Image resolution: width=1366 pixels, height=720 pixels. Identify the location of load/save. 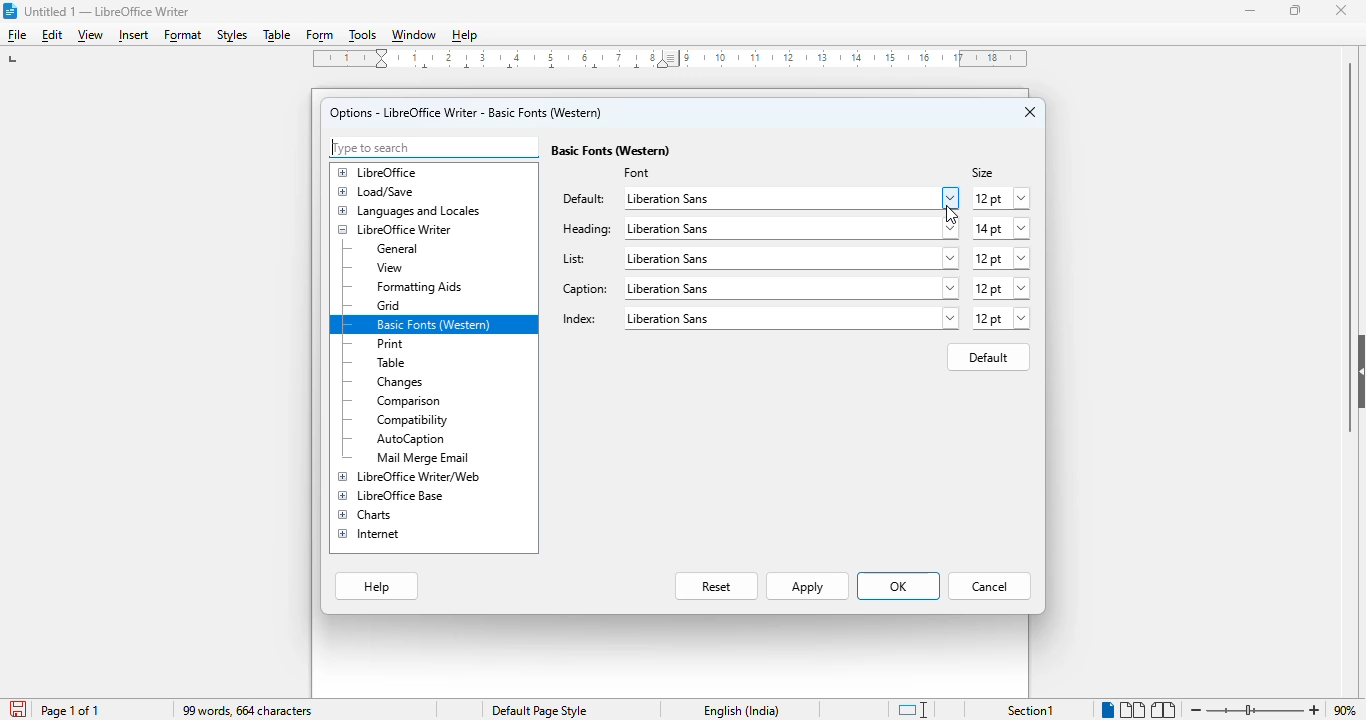
(377, 192).